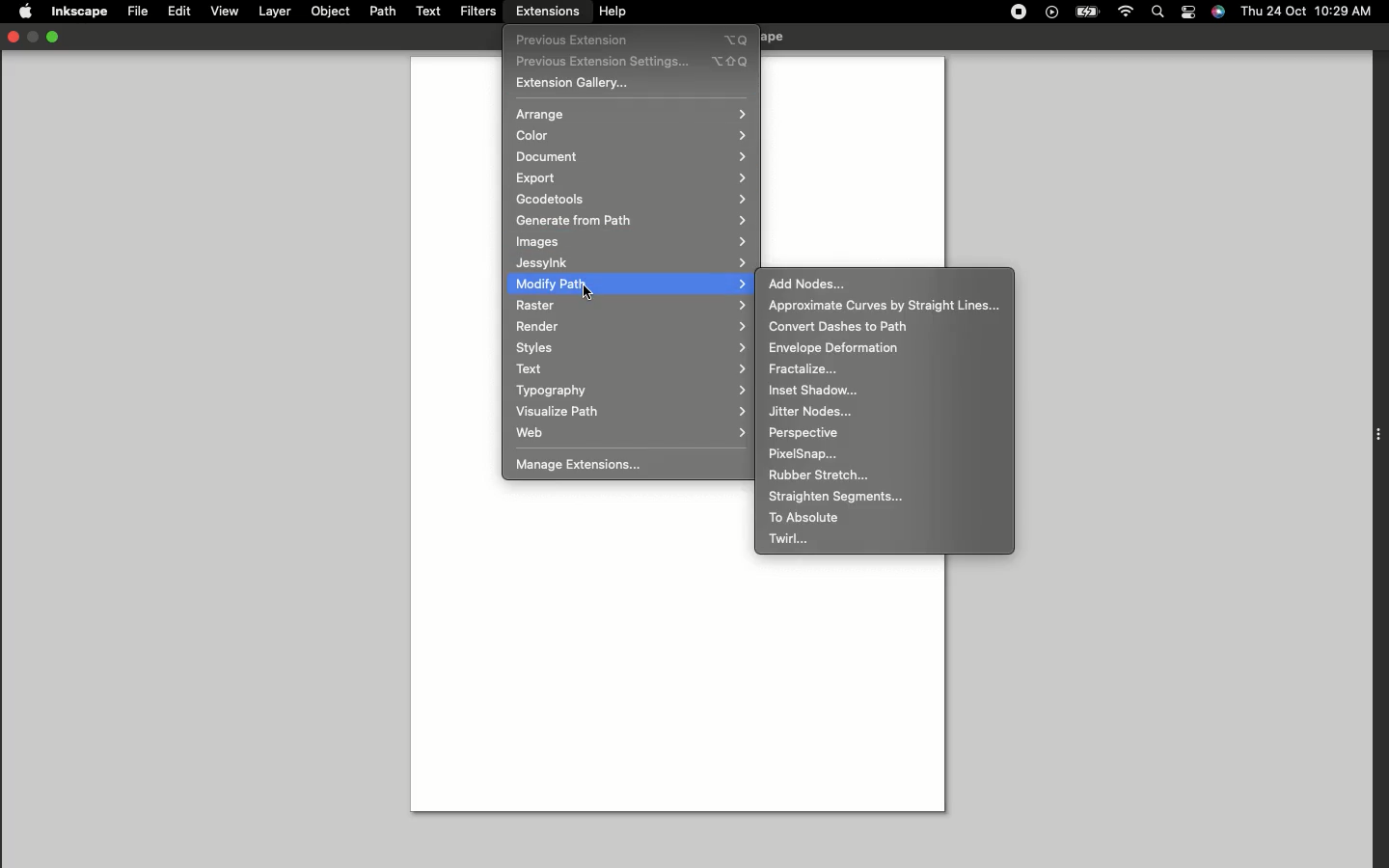 The width and height of the screenshot is (1389, 868). I want to click on Rubber stretch, so click(827, 475).